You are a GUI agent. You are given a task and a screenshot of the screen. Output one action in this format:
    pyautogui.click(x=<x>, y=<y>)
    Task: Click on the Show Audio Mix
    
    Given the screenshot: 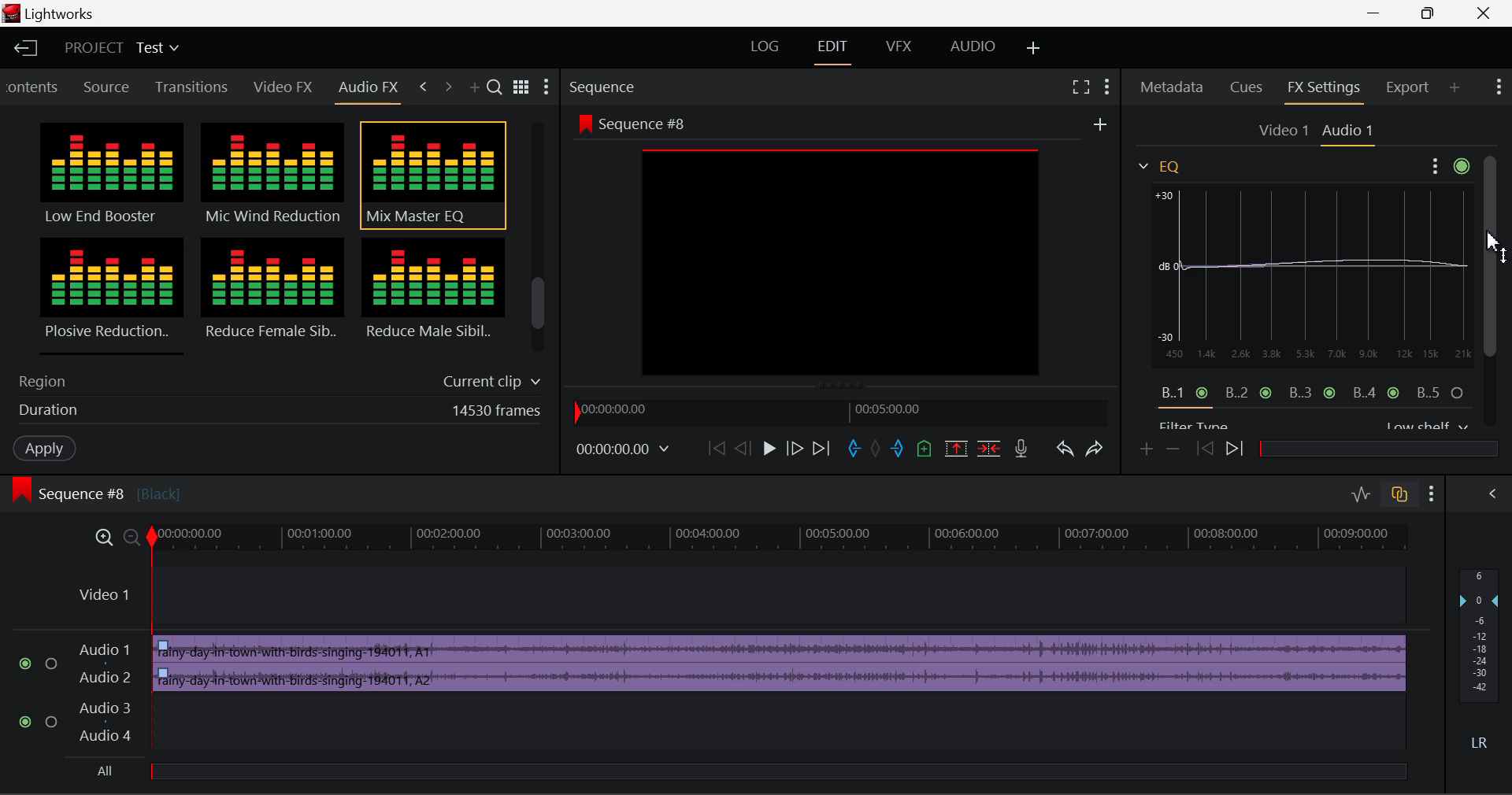 What is the action you would take?
    pyautogui.click(x=1490, y=494)
    